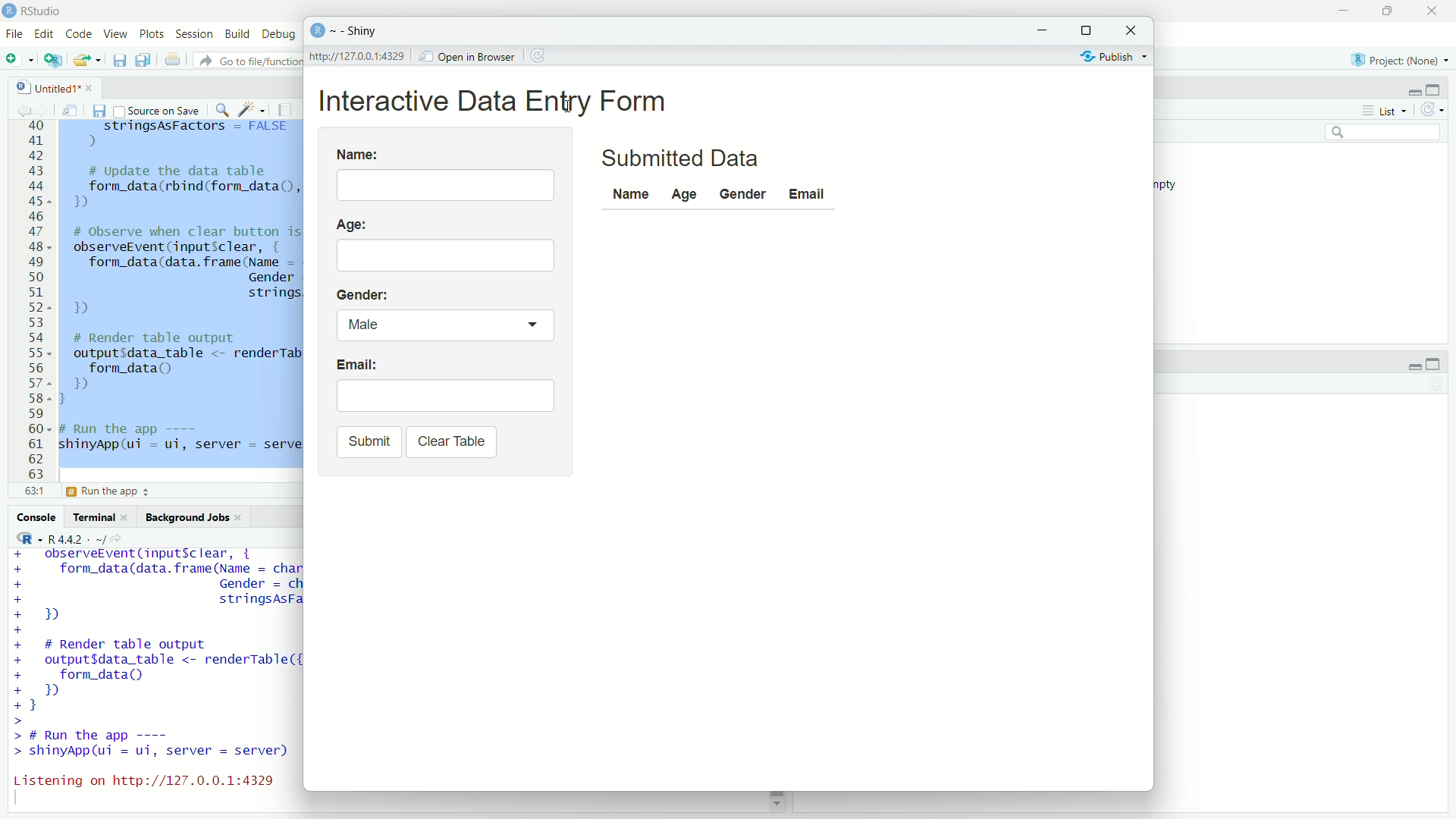 Image resolution: width=1456 pixels, height=819 pixels. What do you see at coordinates (34, 517) in the screenshot?
I see `console` at bounding box center [34, 517].